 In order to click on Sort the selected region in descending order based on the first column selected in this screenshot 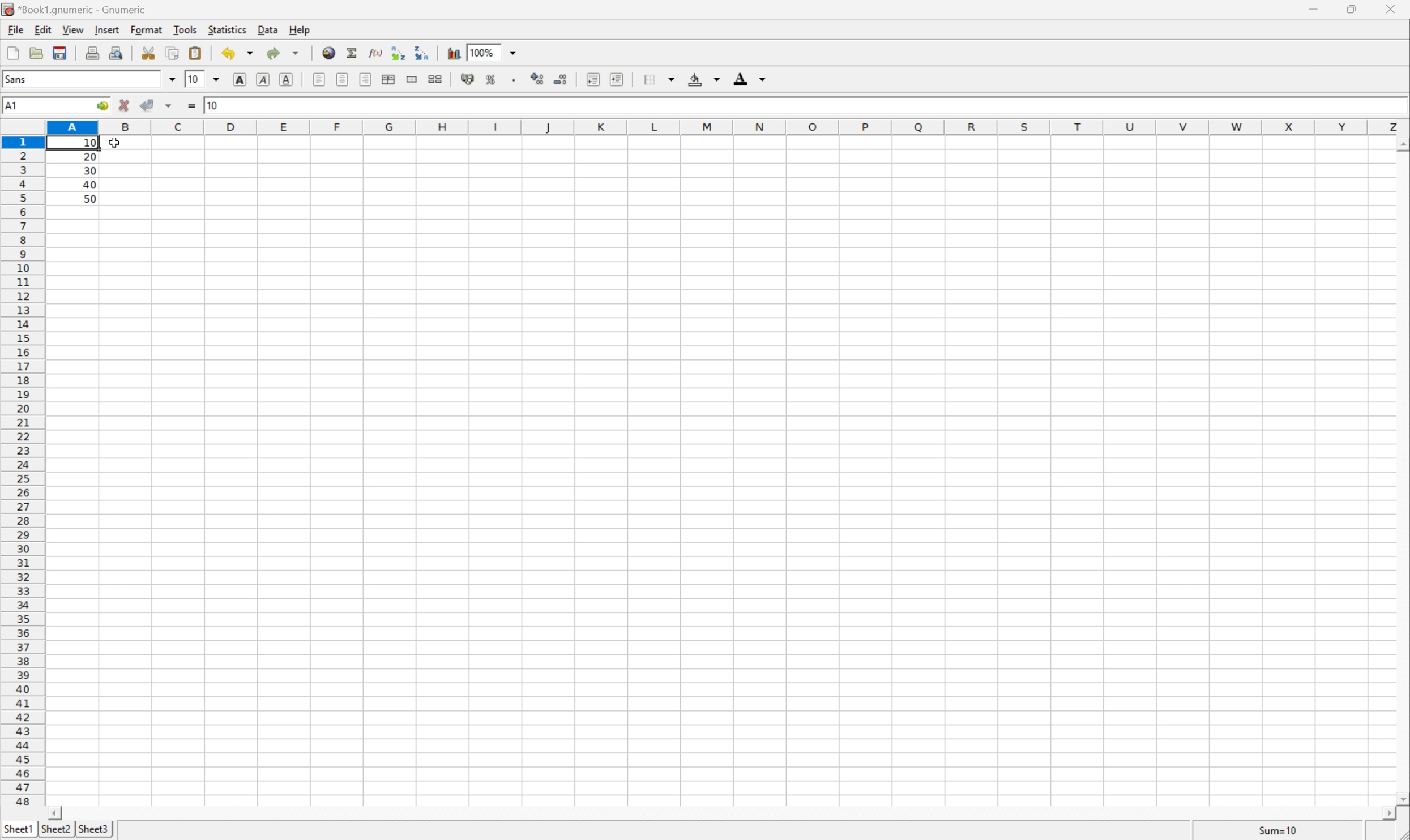, I will do `click(422, 52)`.